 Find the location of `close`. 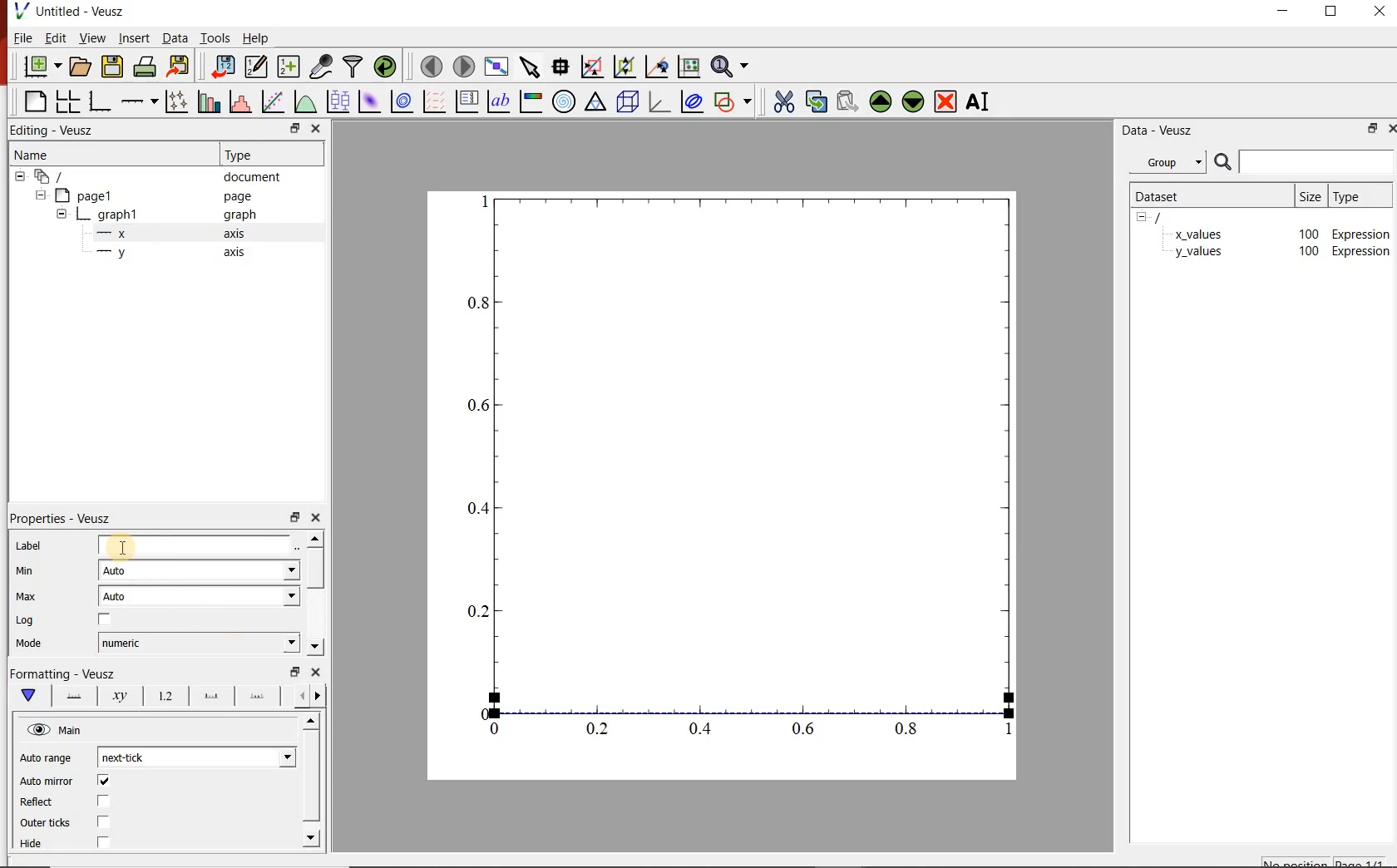

close is located at coordinates (317, 671).